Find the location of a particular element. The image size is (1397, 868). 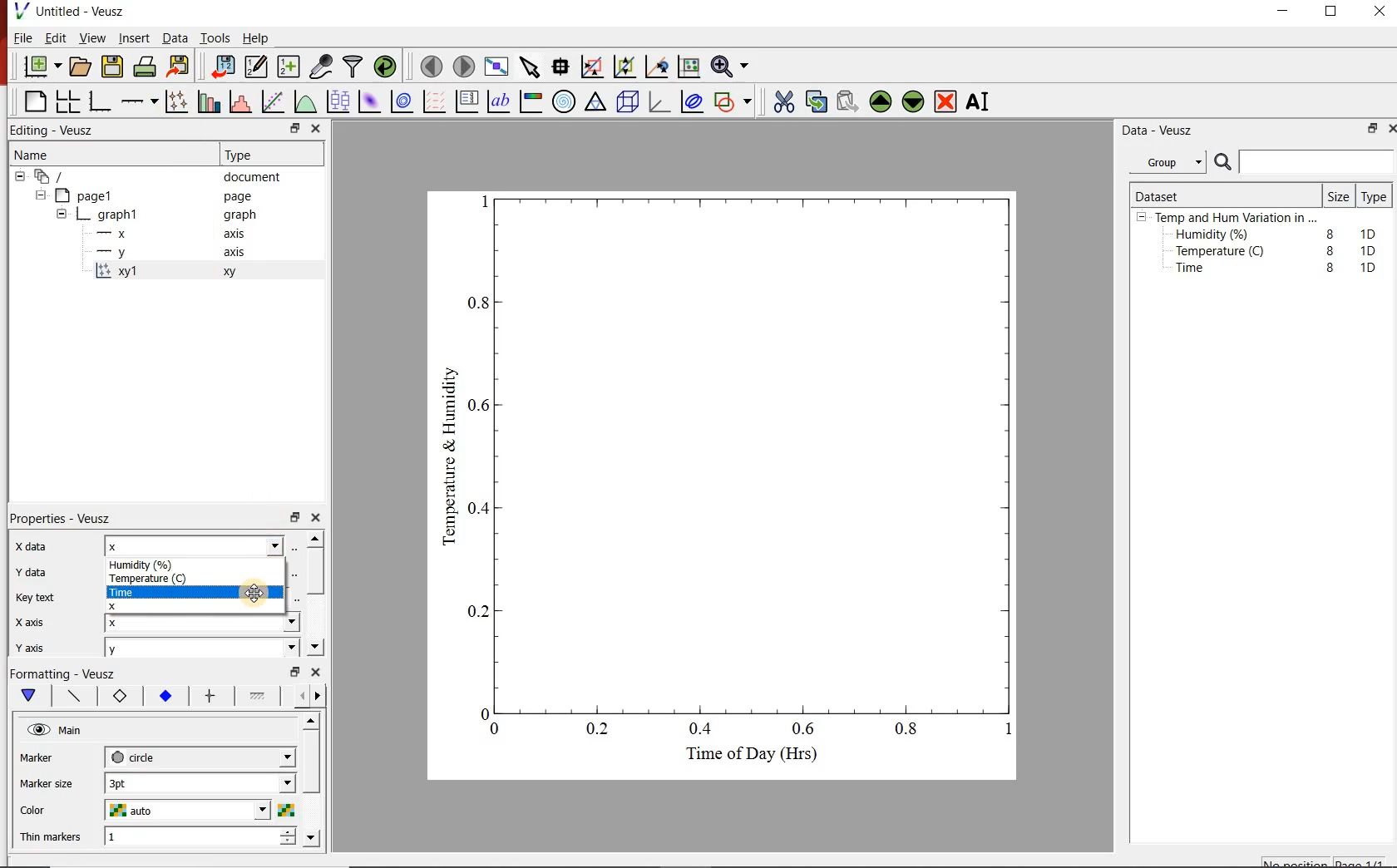

hide sub menu is located at coordinates (18, 179).